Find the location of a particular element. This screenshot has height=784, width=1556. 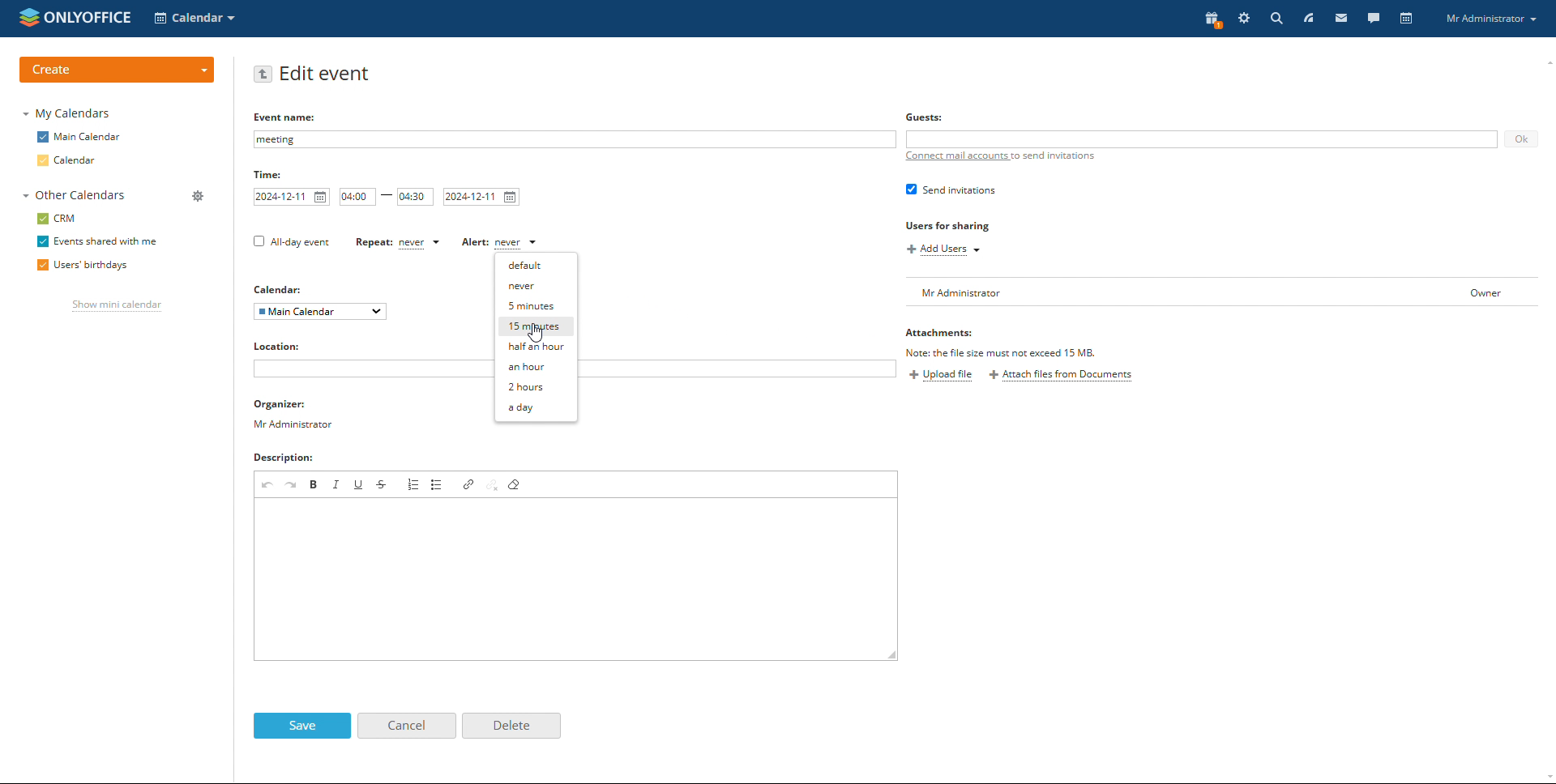

my calendars is located at coordinates (68, 114).